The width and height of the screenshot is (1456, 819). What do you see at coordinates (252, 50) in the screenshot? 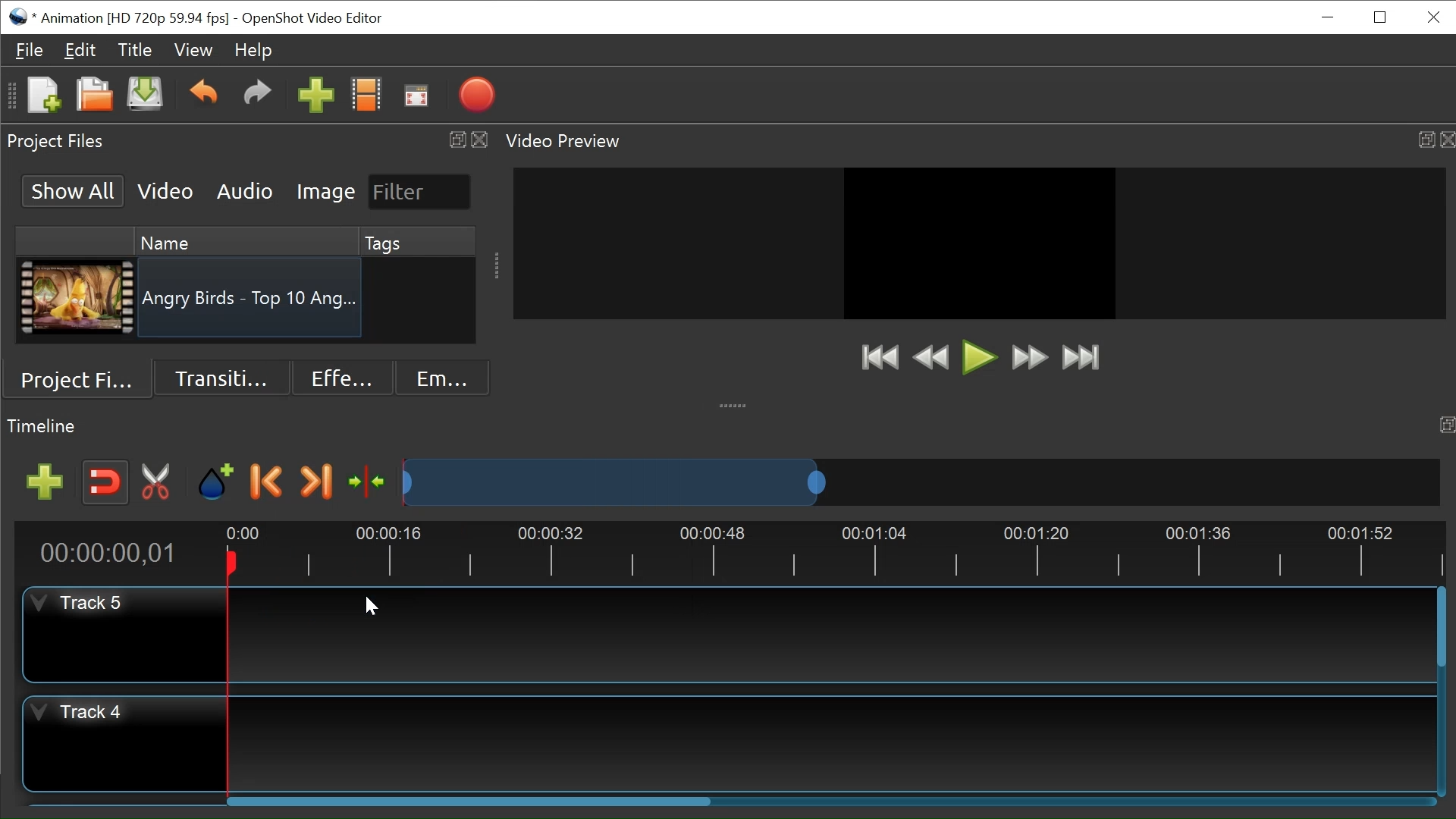
I see `Help` at bounding box center [252, 50].